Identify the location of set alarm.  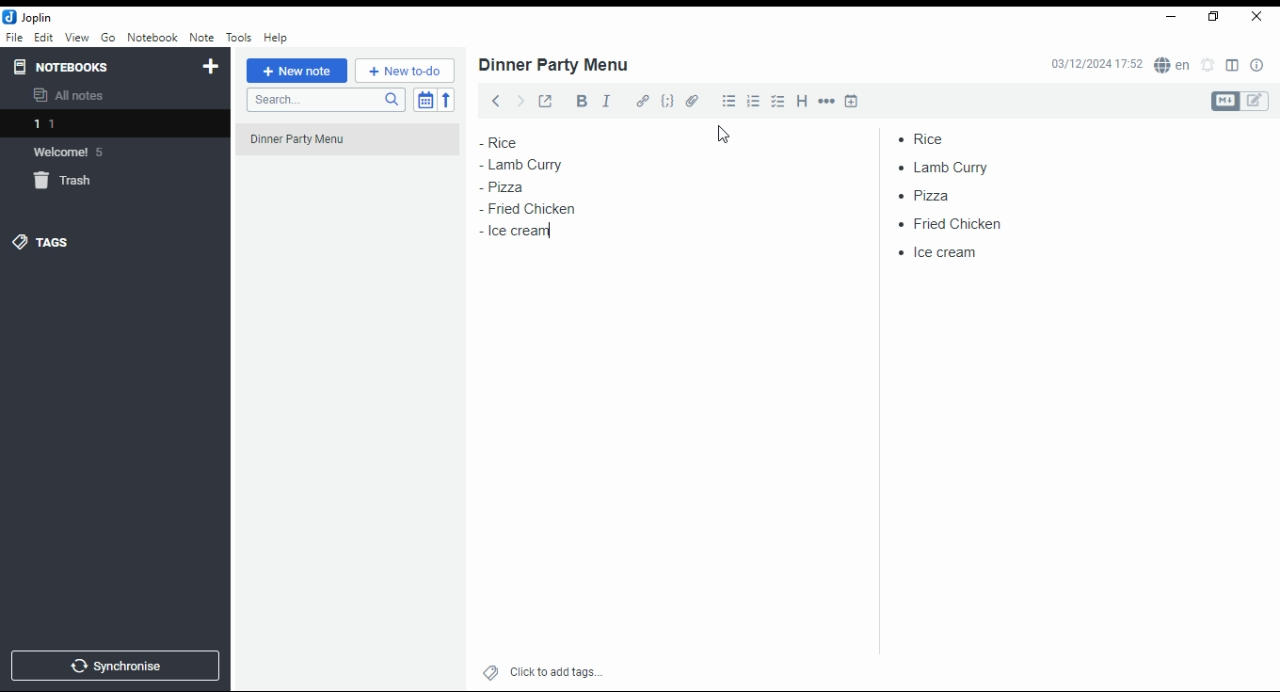
(1208, 65).